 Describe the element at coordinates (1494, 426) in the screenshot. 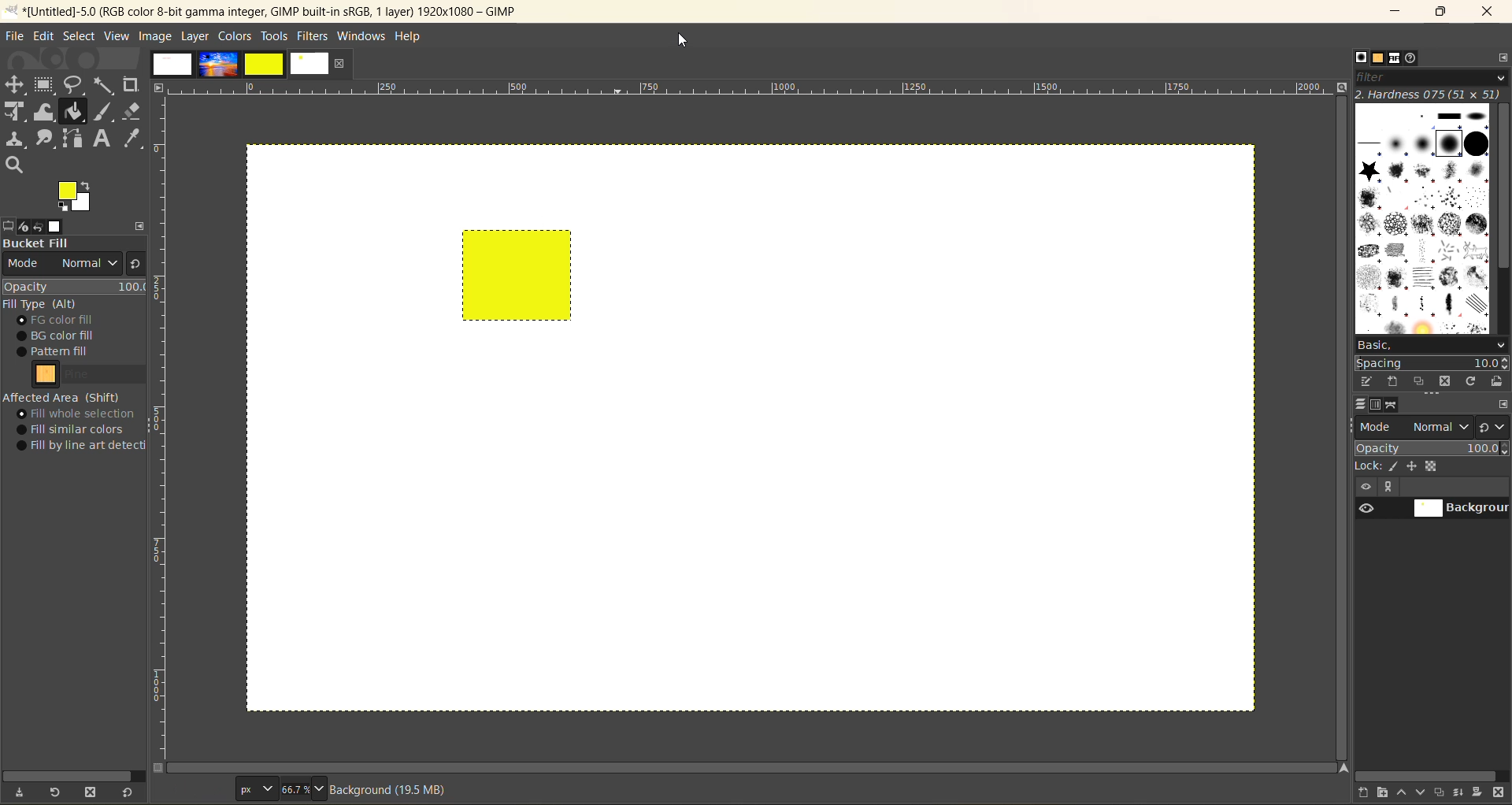

I see `switch to another group` at that location.